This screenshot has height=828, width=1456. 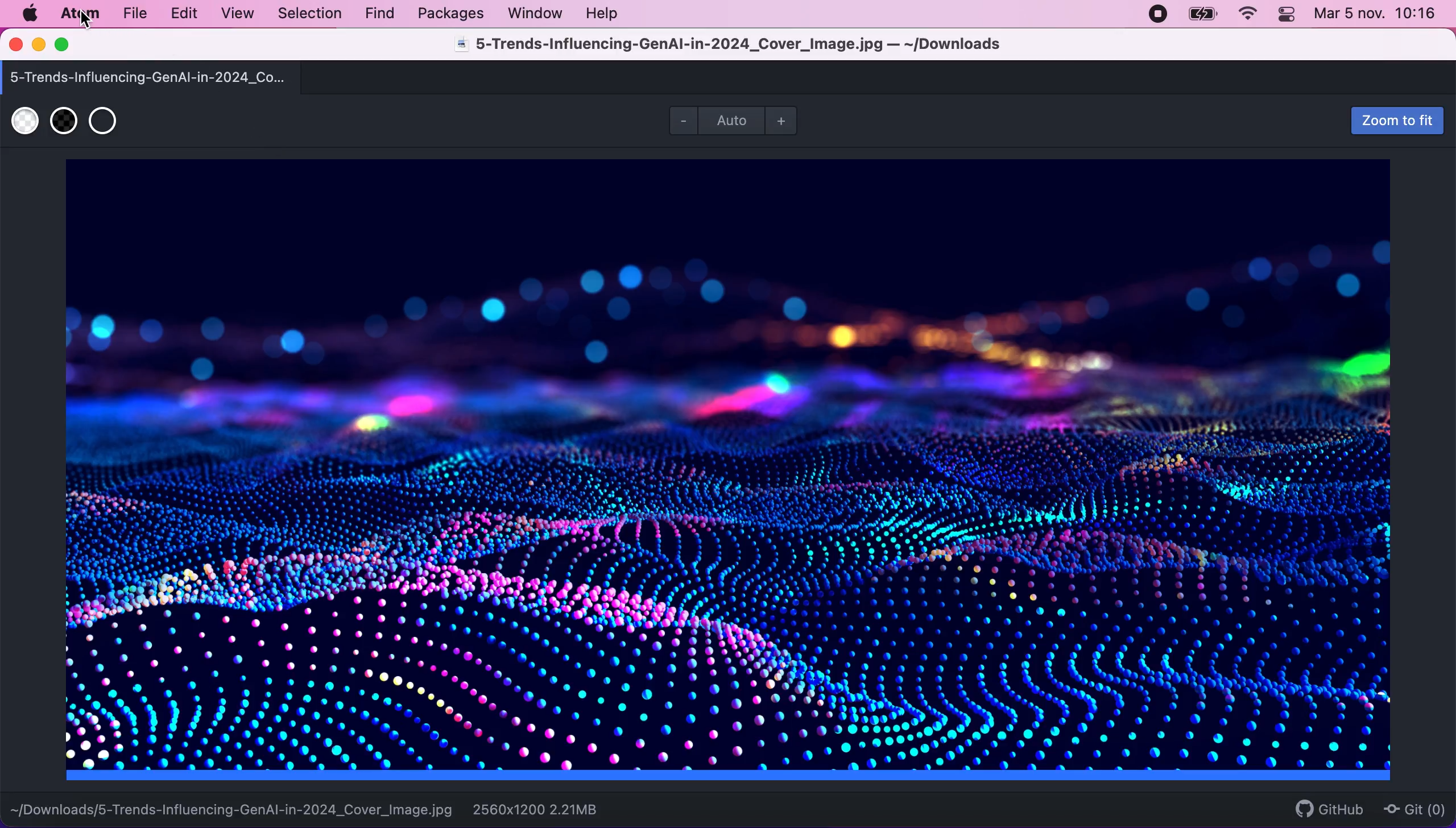 What do you see at coordinates (64, 121) in the screenshot?
I see `use black transparent background` at bounding box center [64, 121].